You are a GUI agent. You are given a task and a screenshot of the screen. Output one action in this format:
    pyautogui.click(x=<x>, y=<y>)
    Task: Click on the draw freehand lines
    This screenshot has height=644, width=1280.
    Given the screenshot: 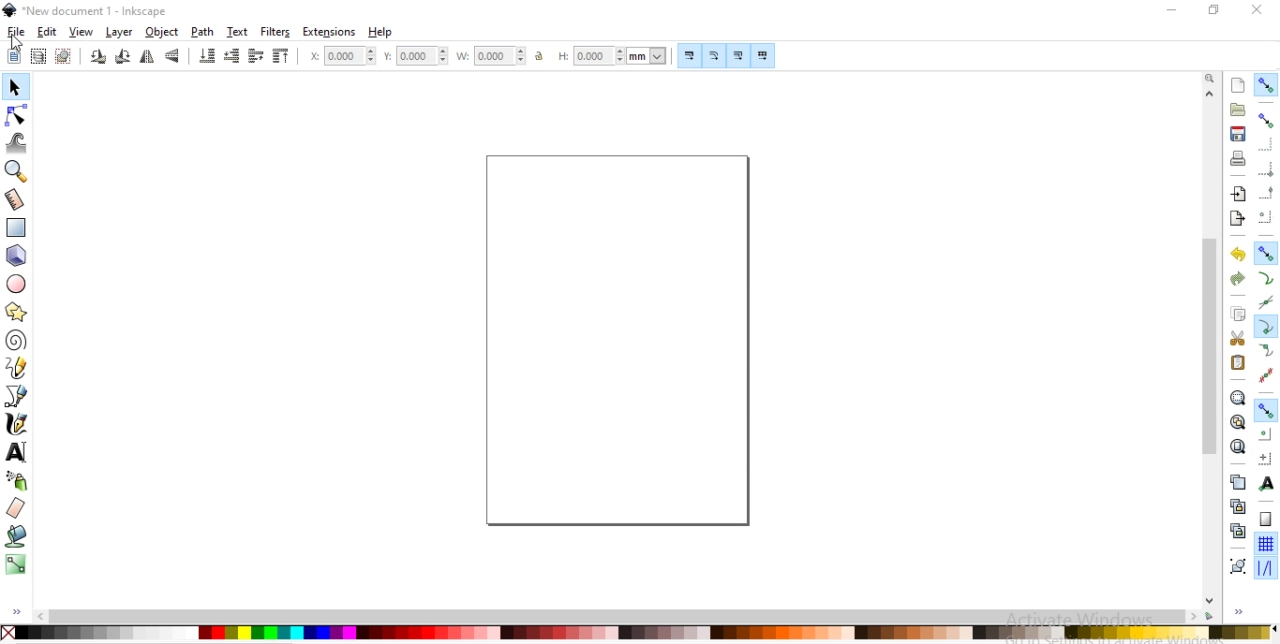 What is the action you would take?
    pyautogui.click(x=16, y=368)
    